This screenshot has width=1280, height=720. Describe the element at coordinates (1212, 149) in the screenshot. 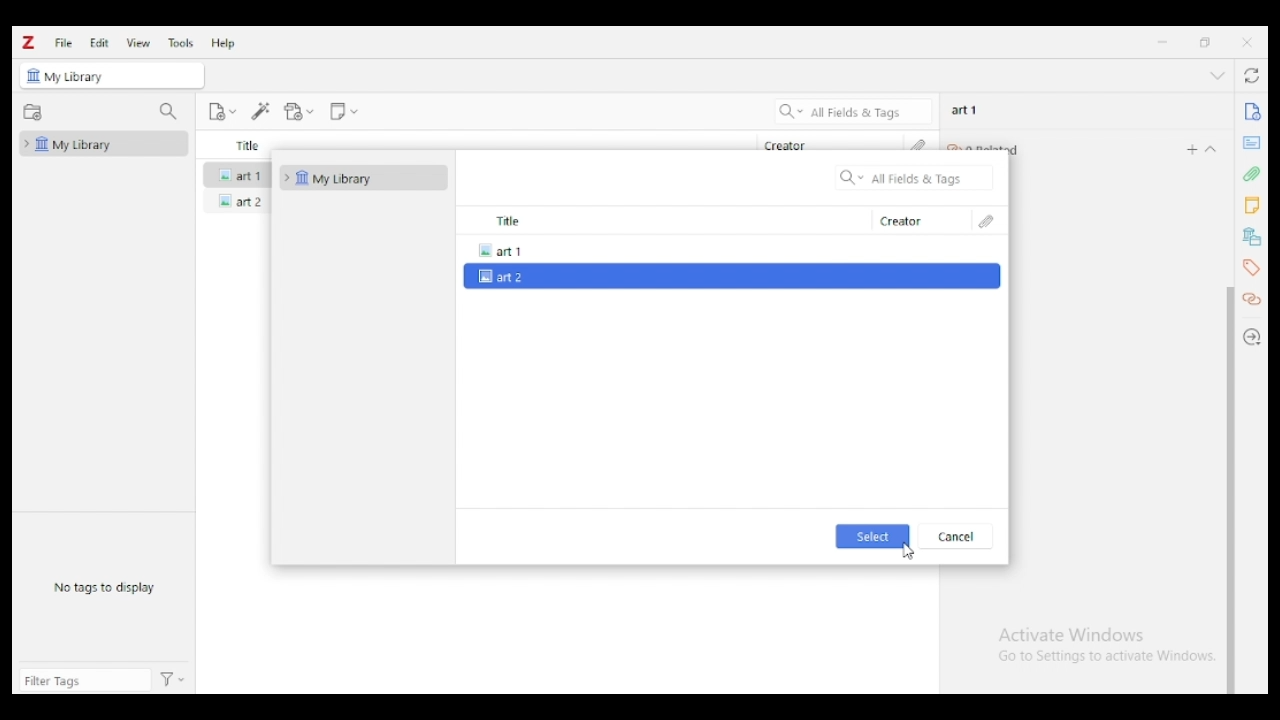

I see `collapse section` at that location.